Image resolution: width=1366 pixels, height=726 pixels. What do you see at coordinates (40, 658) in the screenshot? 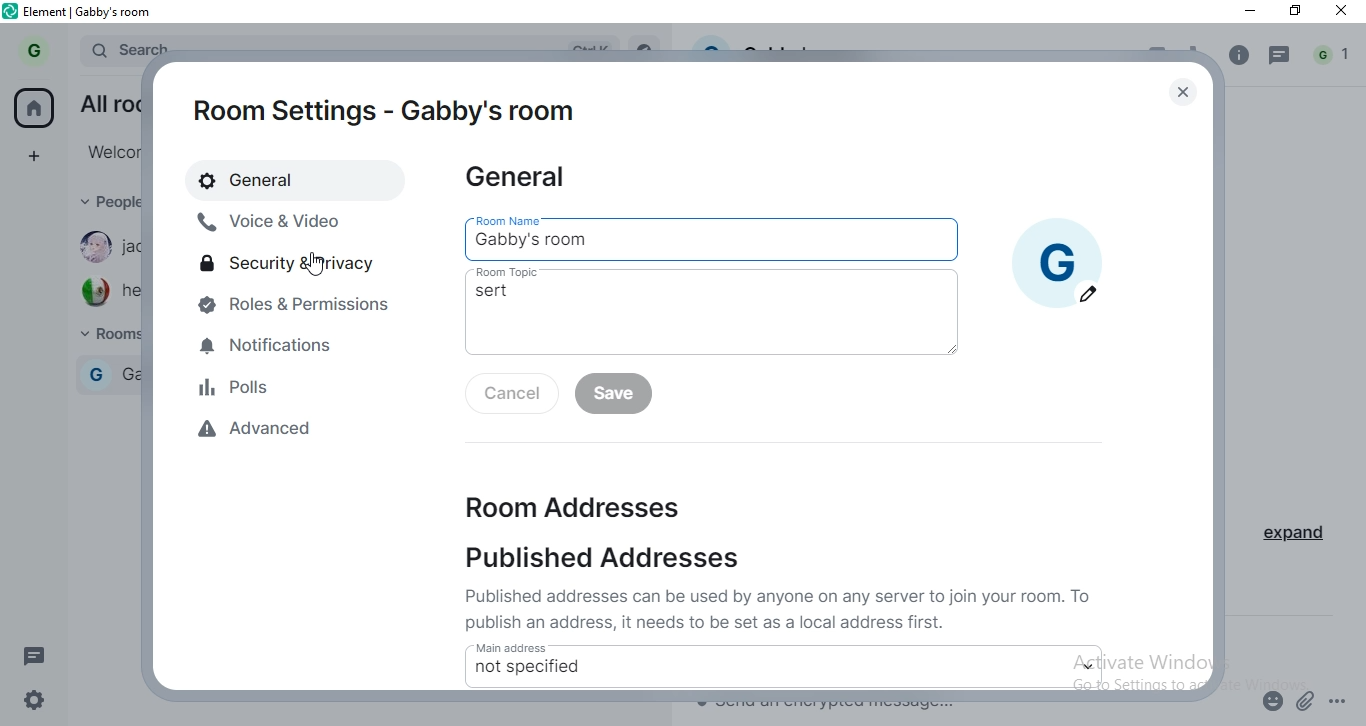
I see `message` at bounding box center [40, 658].